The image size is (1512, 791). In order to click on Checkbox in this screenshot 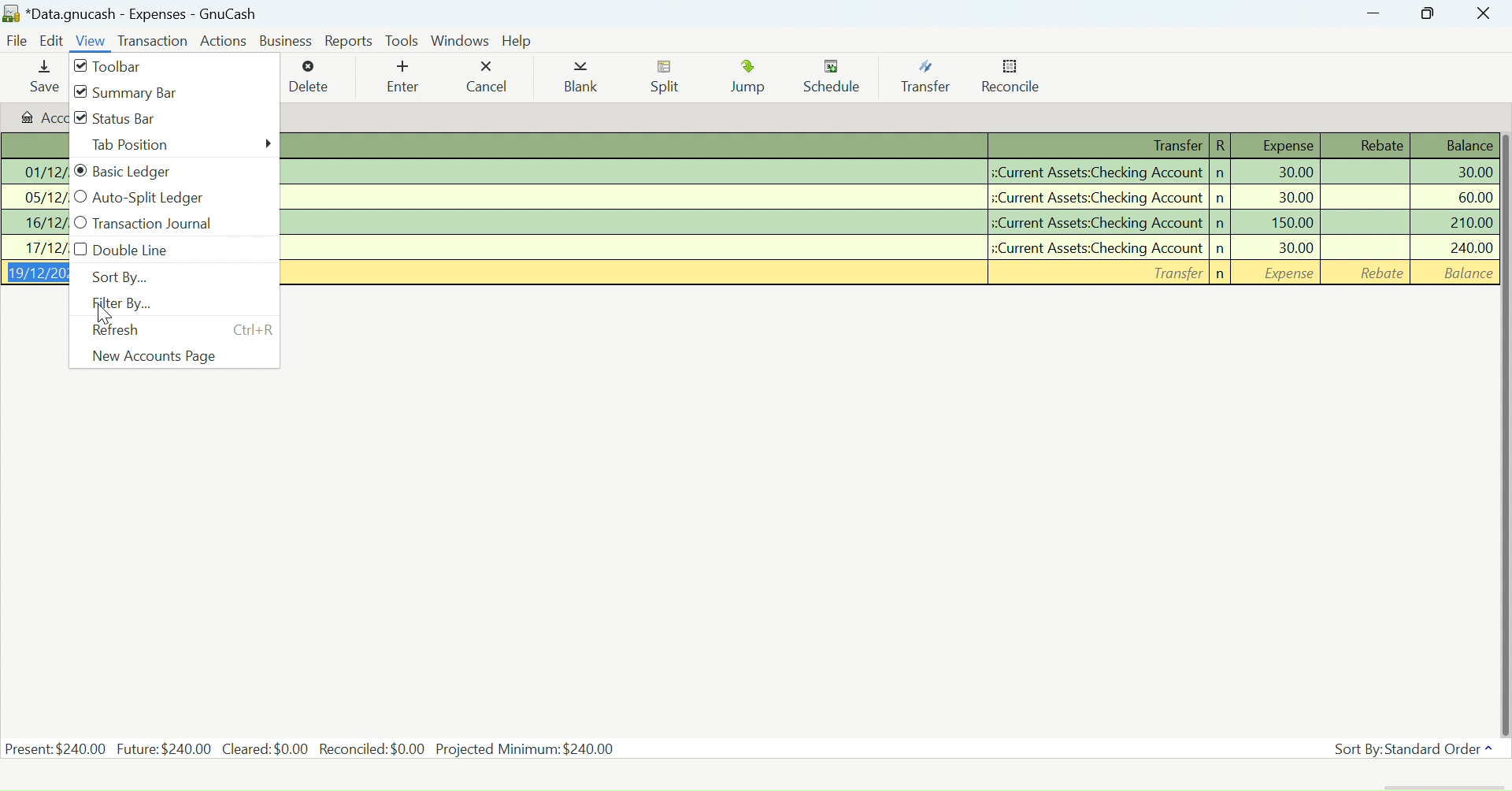, I will do `click(77, 117)`.